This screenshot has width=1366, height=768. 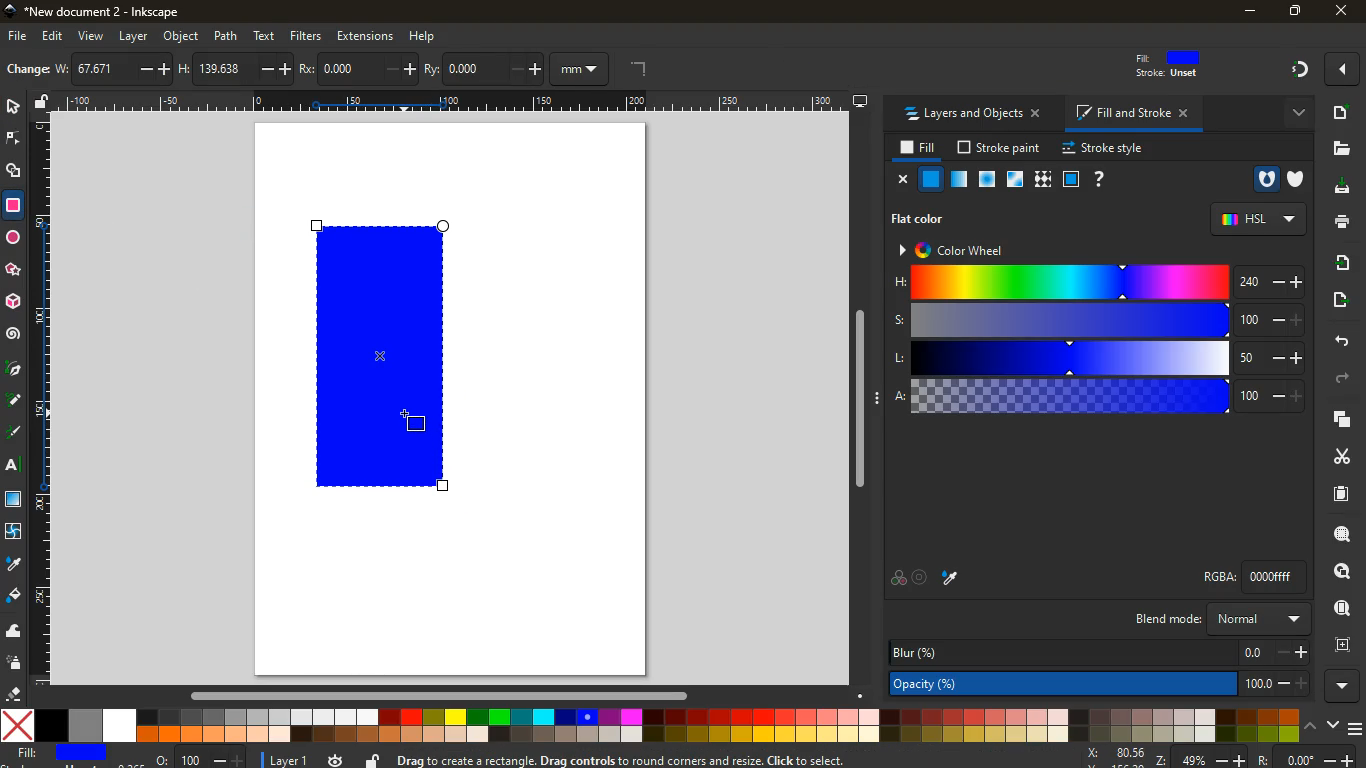 What do you see at coordinates (15, 37) in the screenshot?
I see `file` at bounding box center [15, 37].